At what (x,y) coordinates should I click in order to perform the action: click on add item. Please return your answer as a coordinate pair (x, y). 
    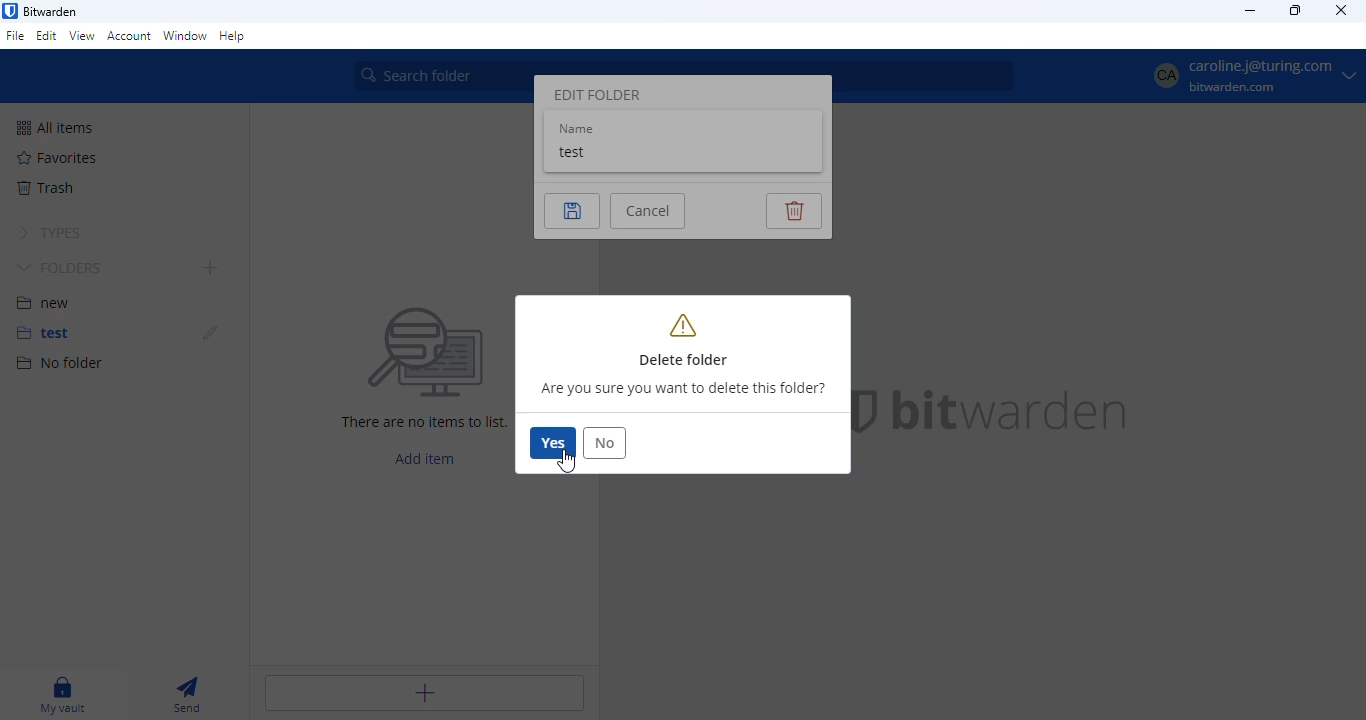
    Looking at the image, I should click on (423, 459).